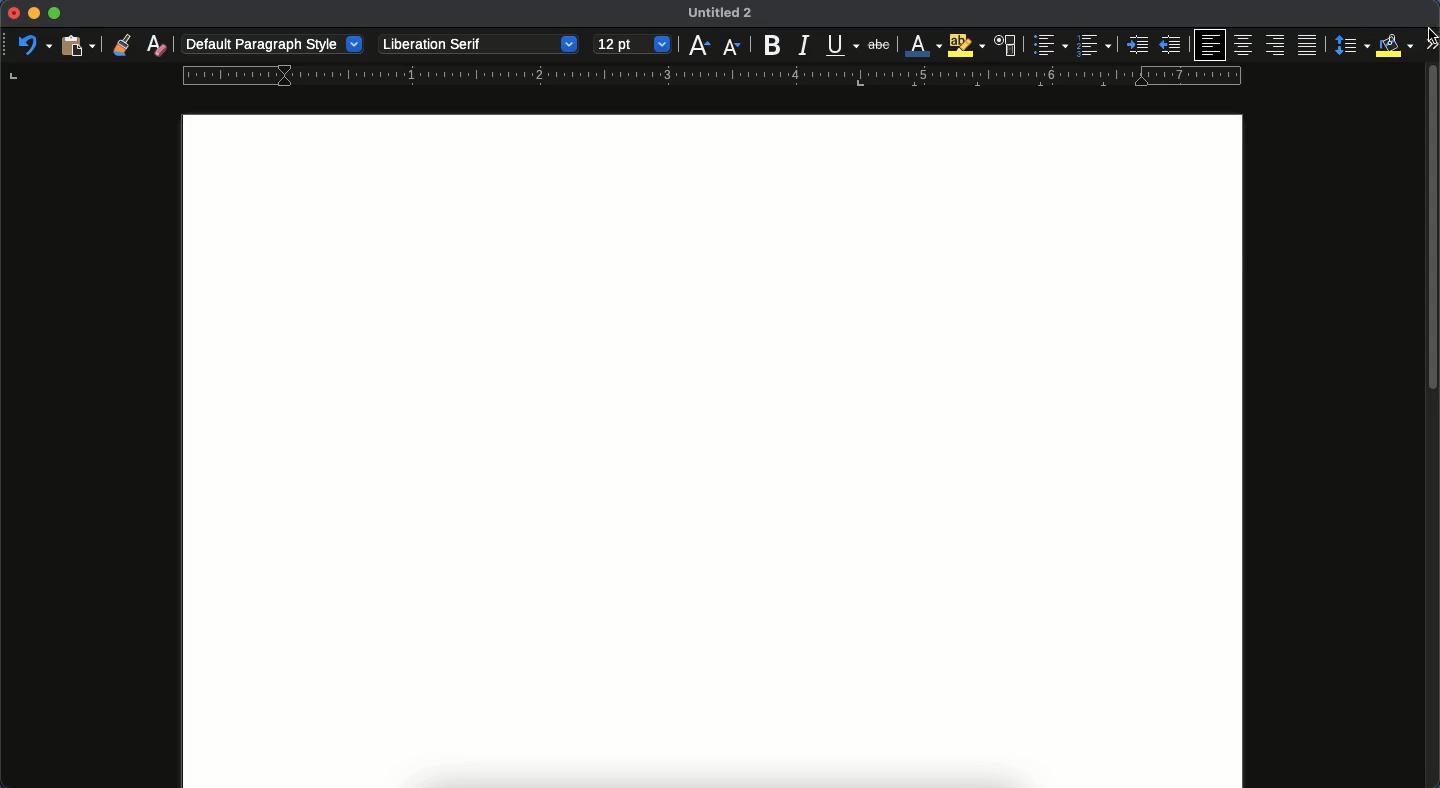 The width and height of the screenshot is (1440, 788). Describe the element at coordinates (121, 45) in the screenshot. I see `clone formatting` at that location.